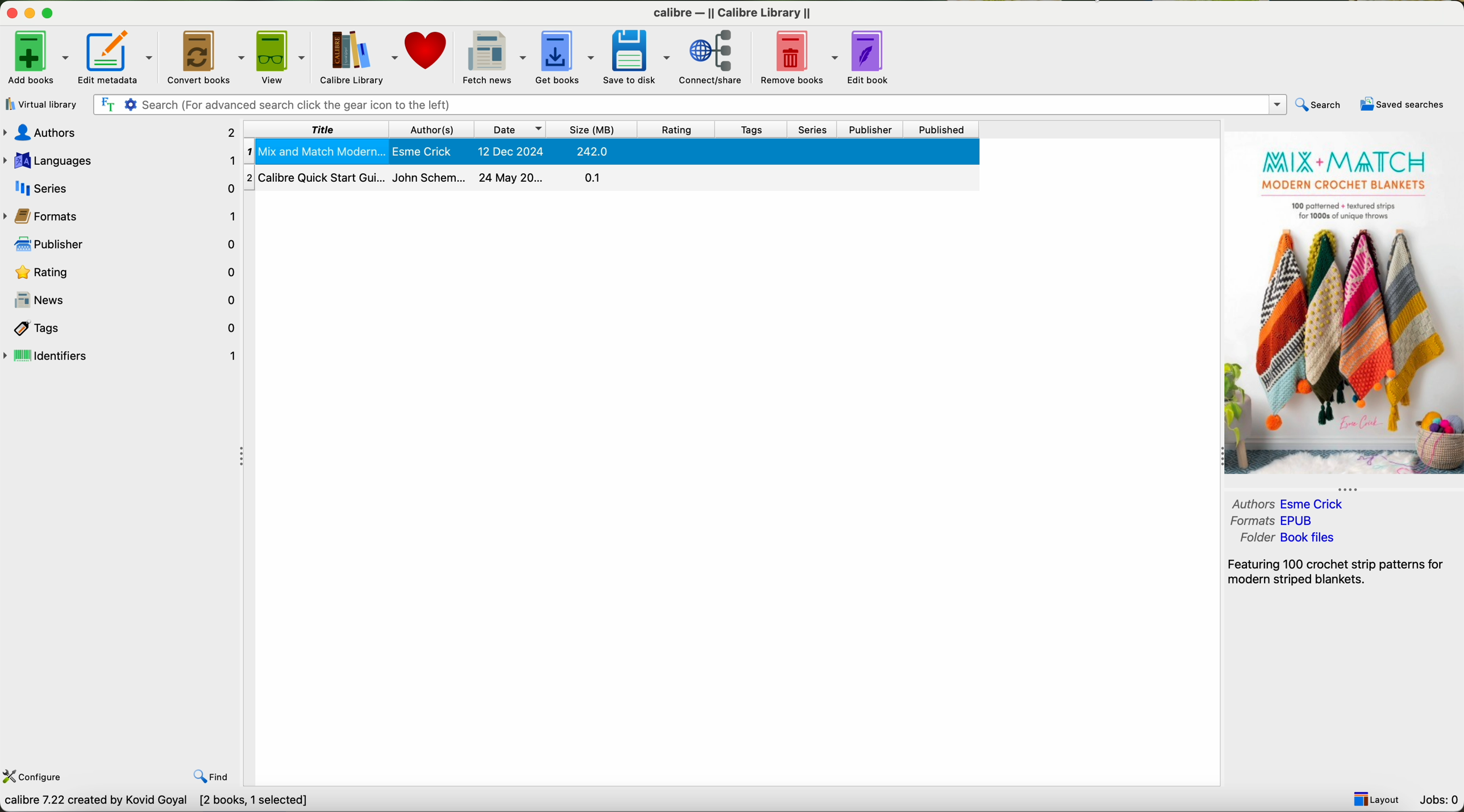 This screenshot has height=812, width=1464. I want to click on donate, so click(427, 49).